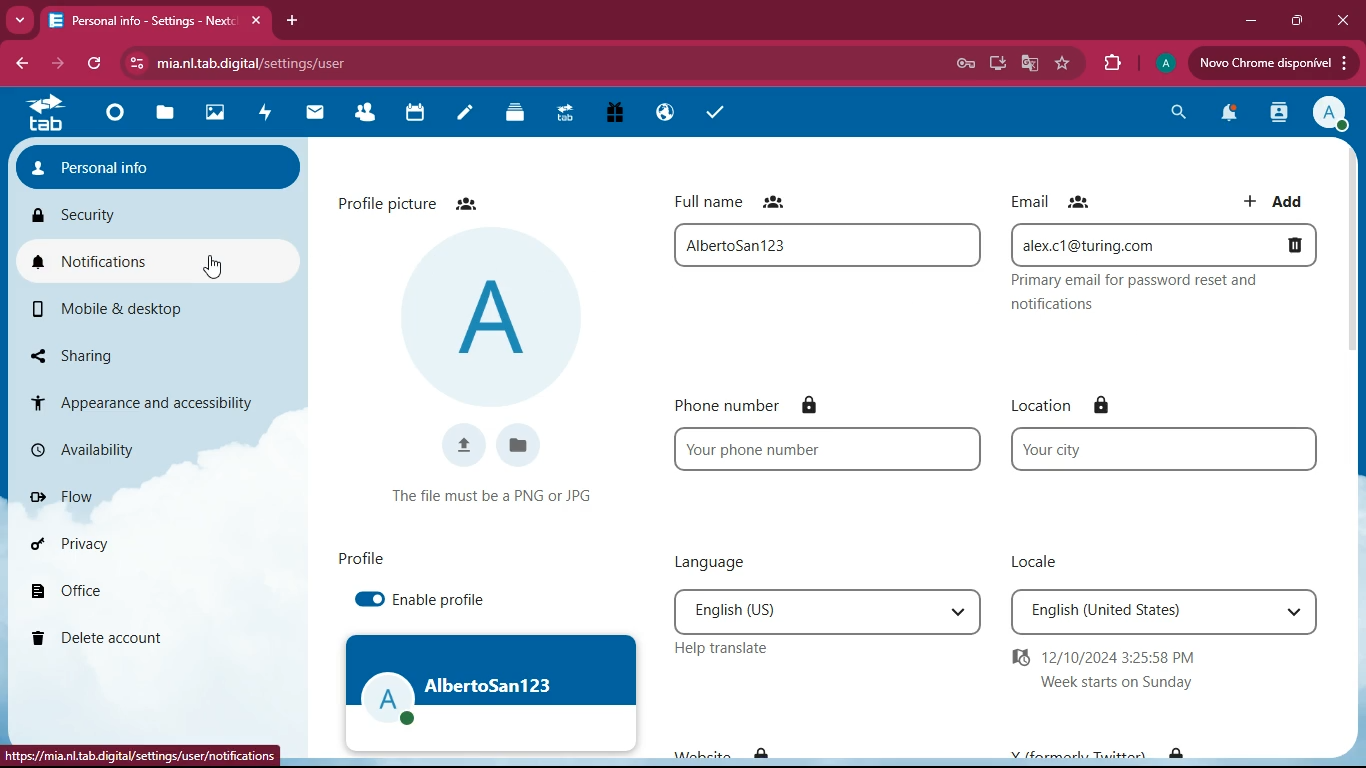 The width and height of the screenshot is (1366, 768). Describe the element at coordinates (832, 245) in the screenshot. I see `full name` at that location.